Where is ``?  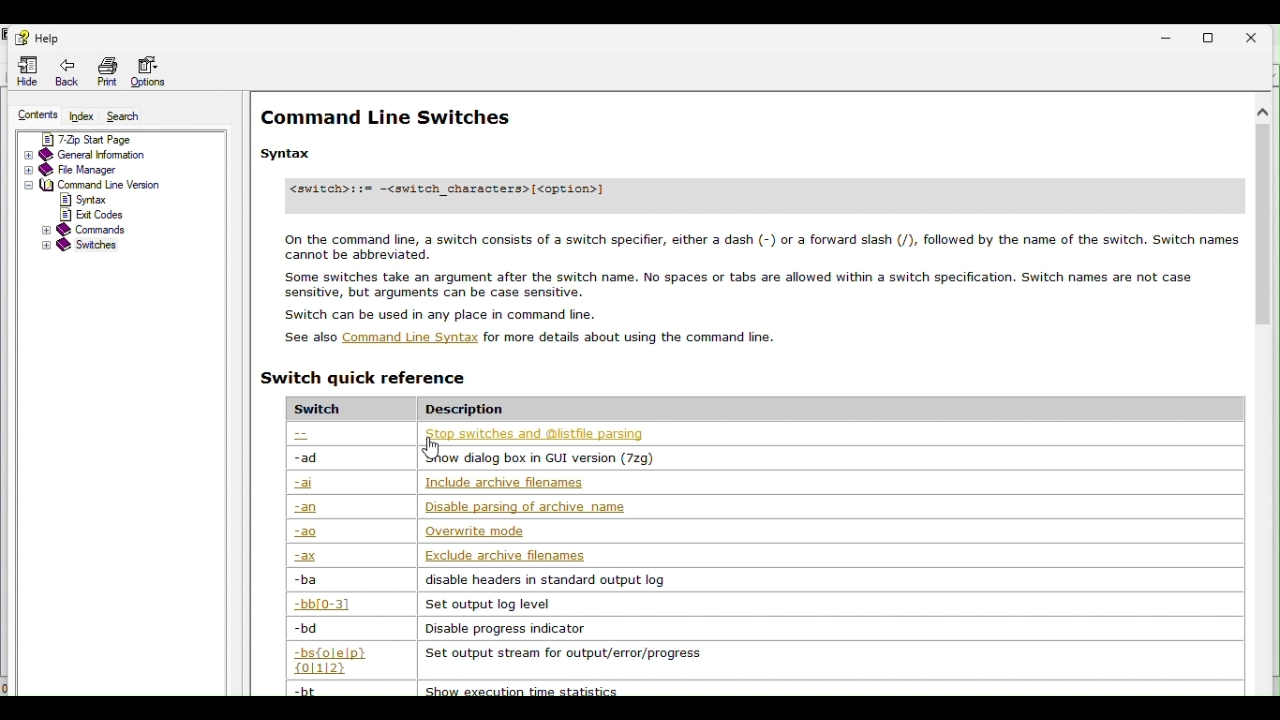  is located at coordinates (409, 338).